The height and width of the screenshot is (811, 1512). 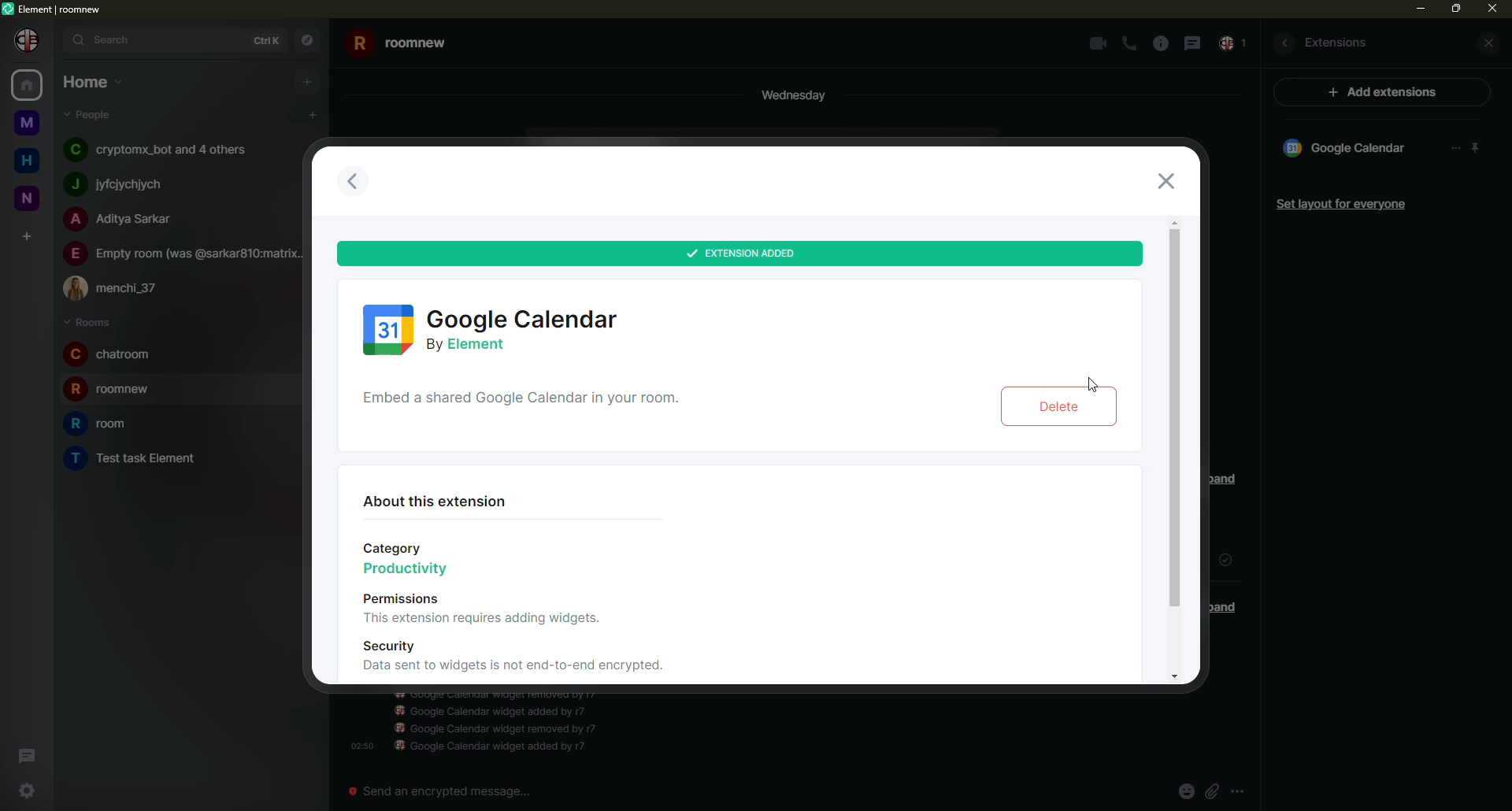 I want to click on send an emergency message, so click(x=448, y=792).